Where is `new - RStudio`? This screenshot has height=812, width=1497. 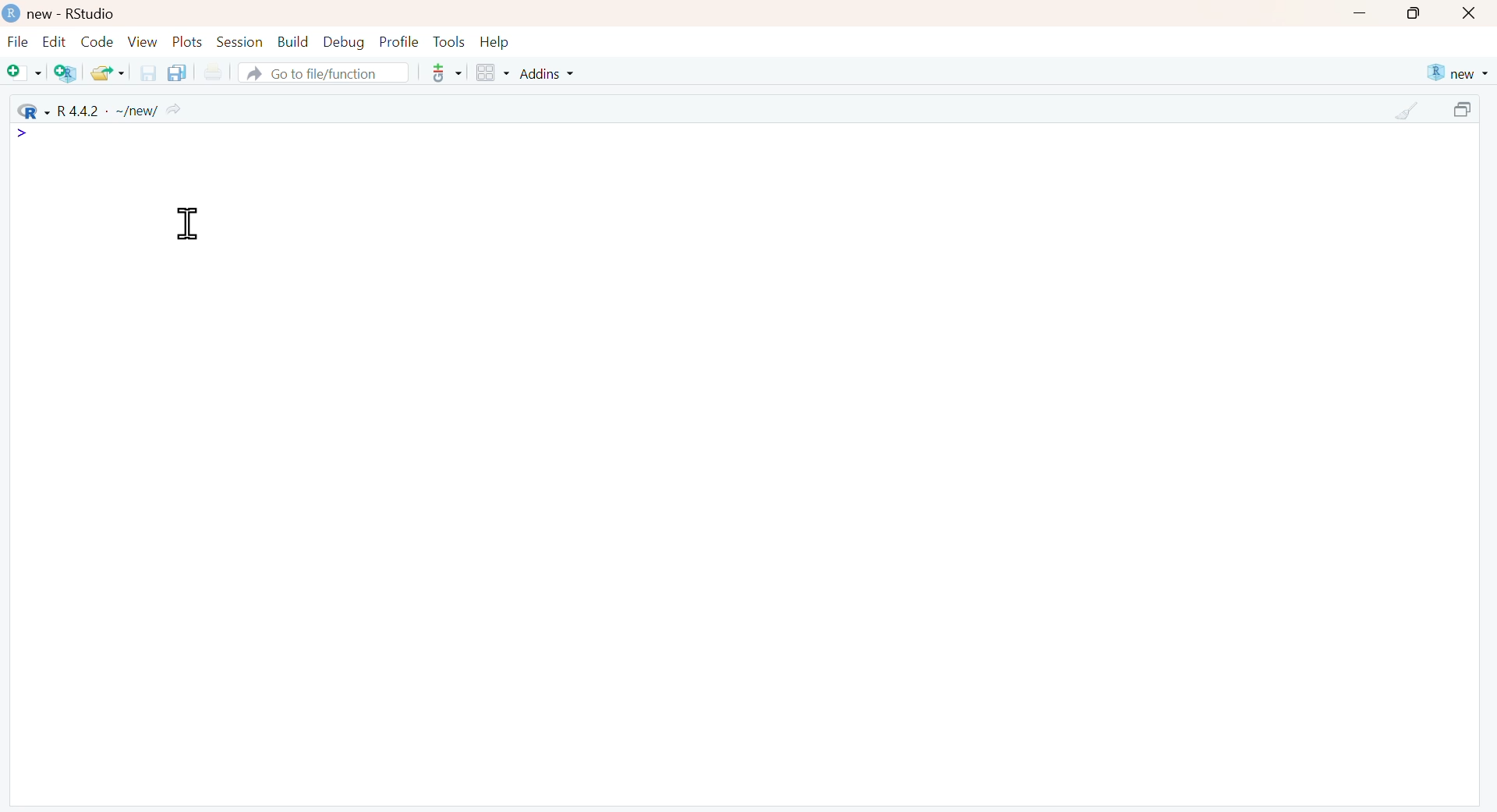
new - RStudio is located at coordinates (75, 14).